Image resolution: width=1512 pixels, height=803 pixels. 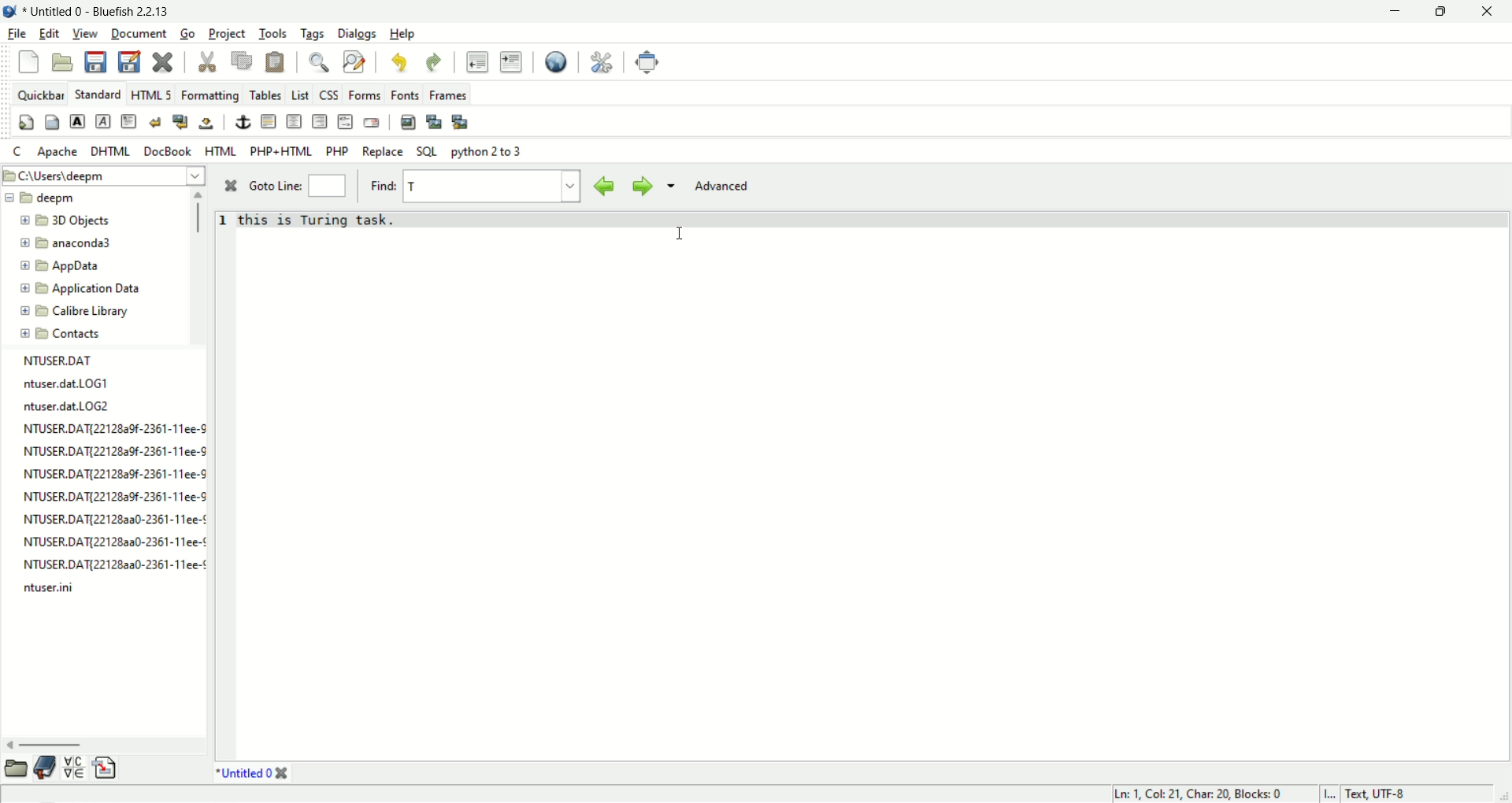 What do you see at coordinates (181, 123) in the screenshot?
I see `break and clear` at bounding box center [181, 123].